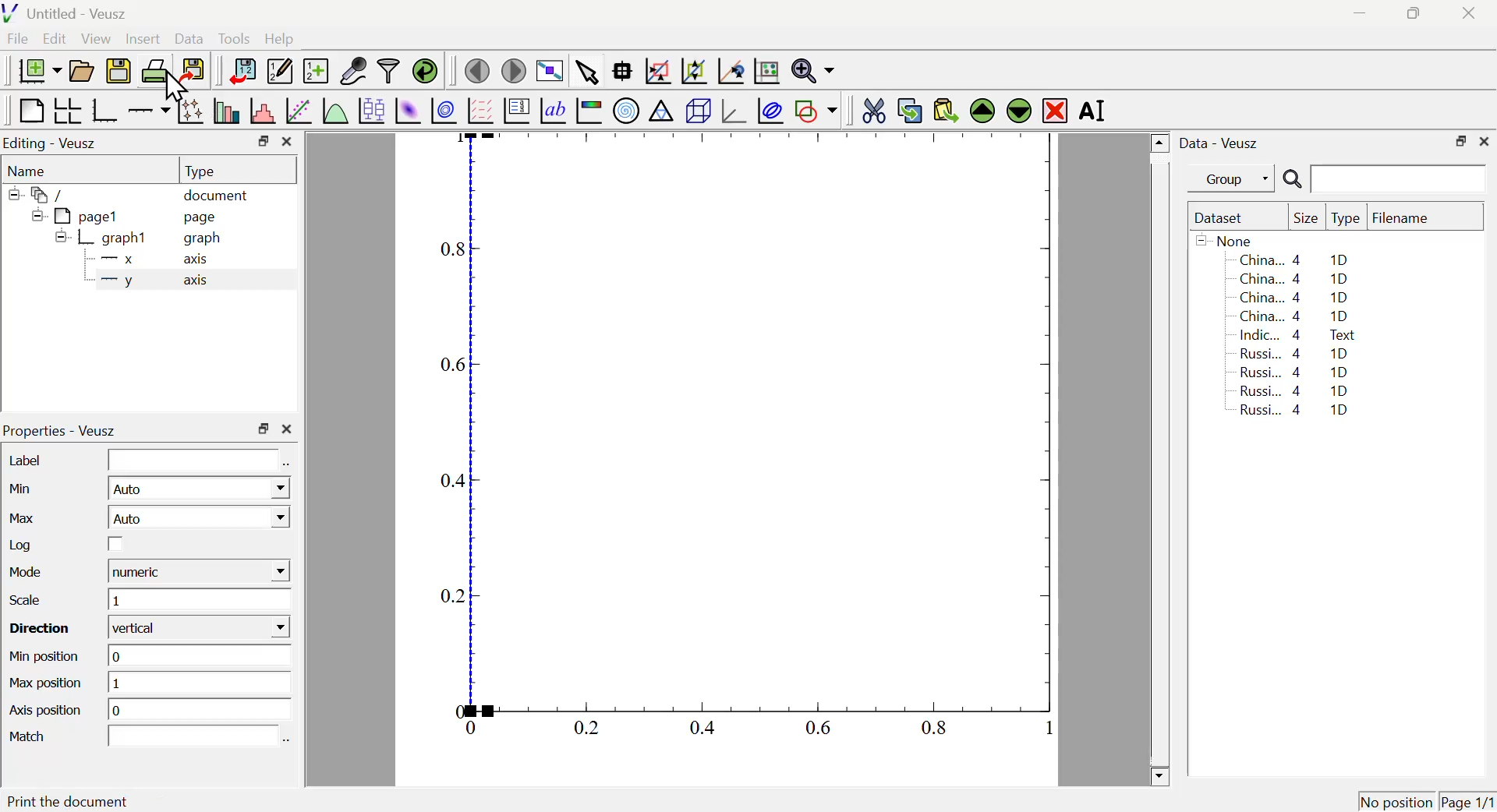 This screenshot has width=1497, height=812. I want to click on Auto, so click(199, 489).